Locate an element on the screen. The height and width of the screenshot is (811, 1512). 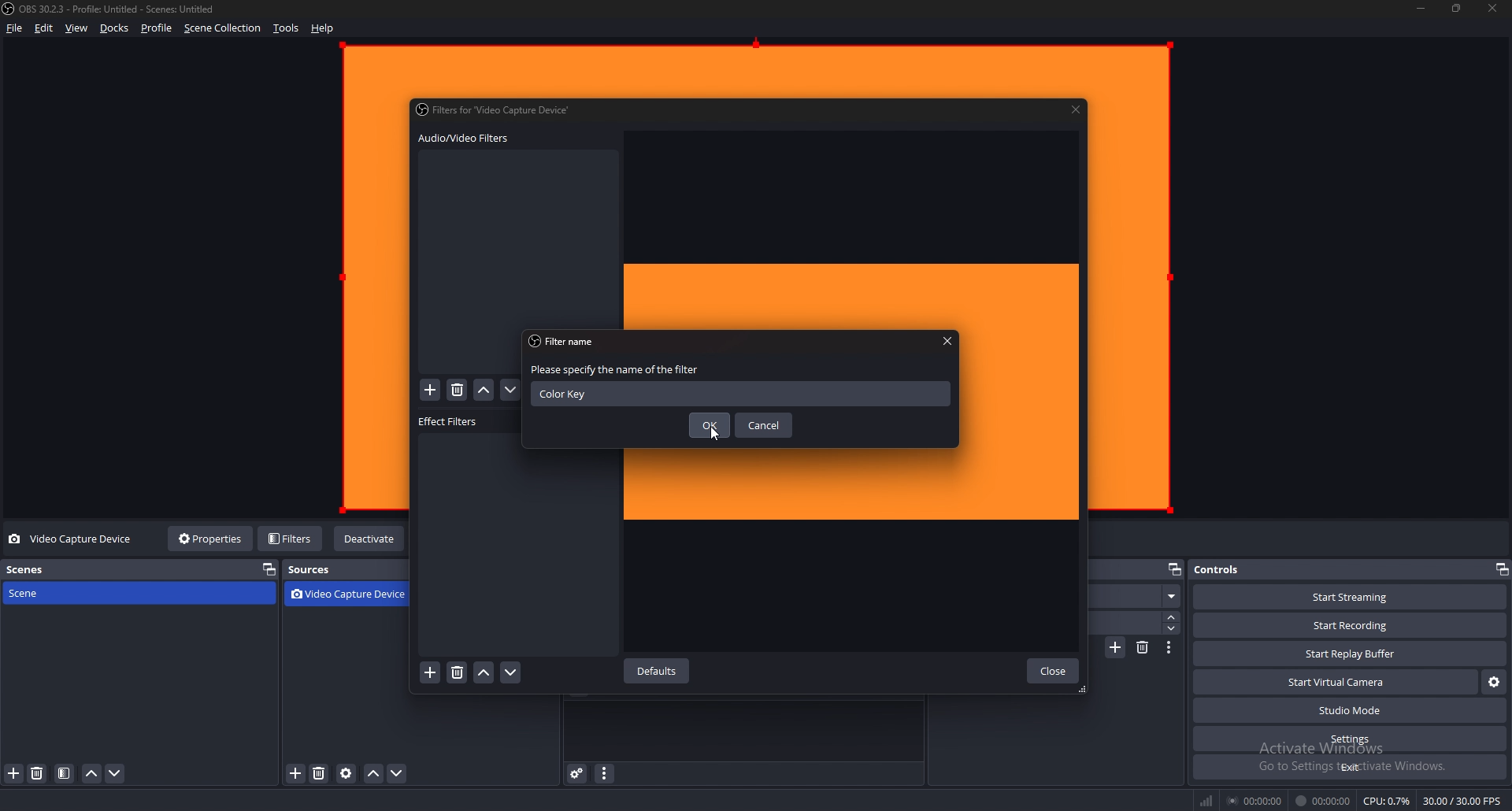
 00:00:00 is located at coordinates (1322, 801).